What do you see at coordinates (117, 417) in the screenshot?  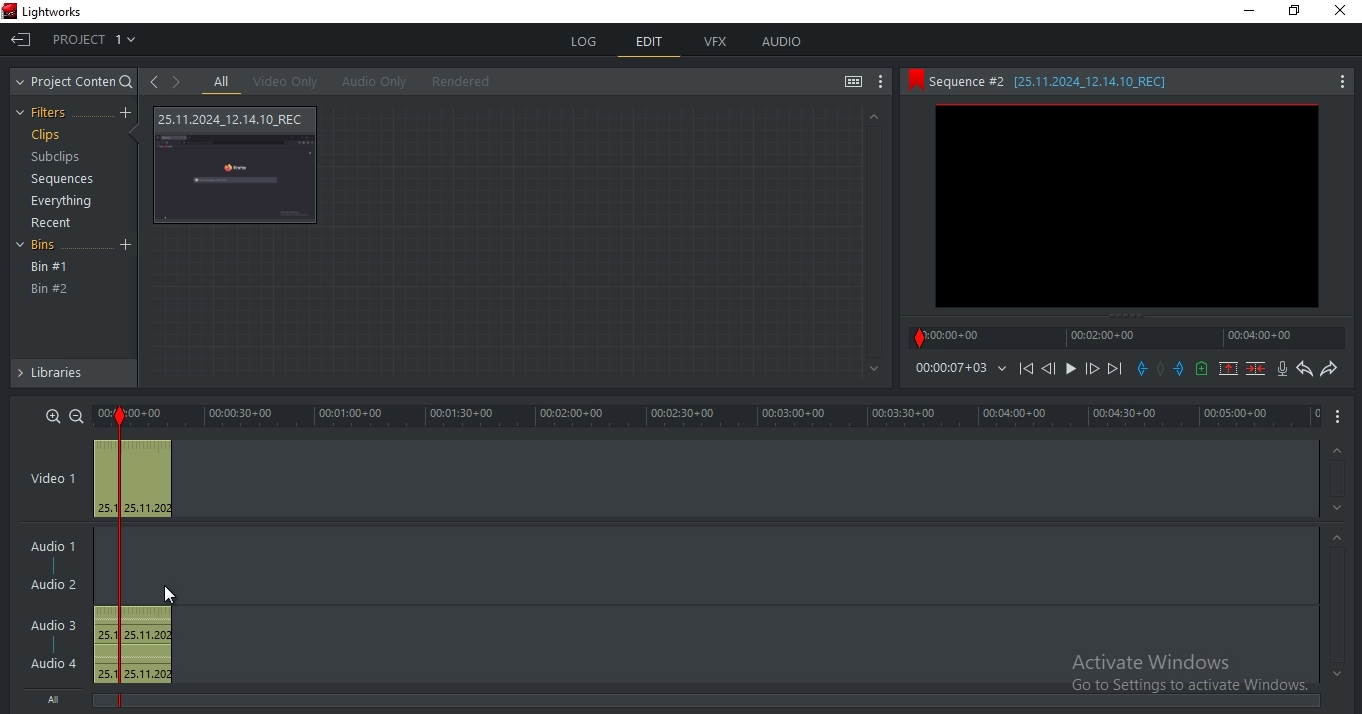 I see `mark` at bounding box center [117, 417].